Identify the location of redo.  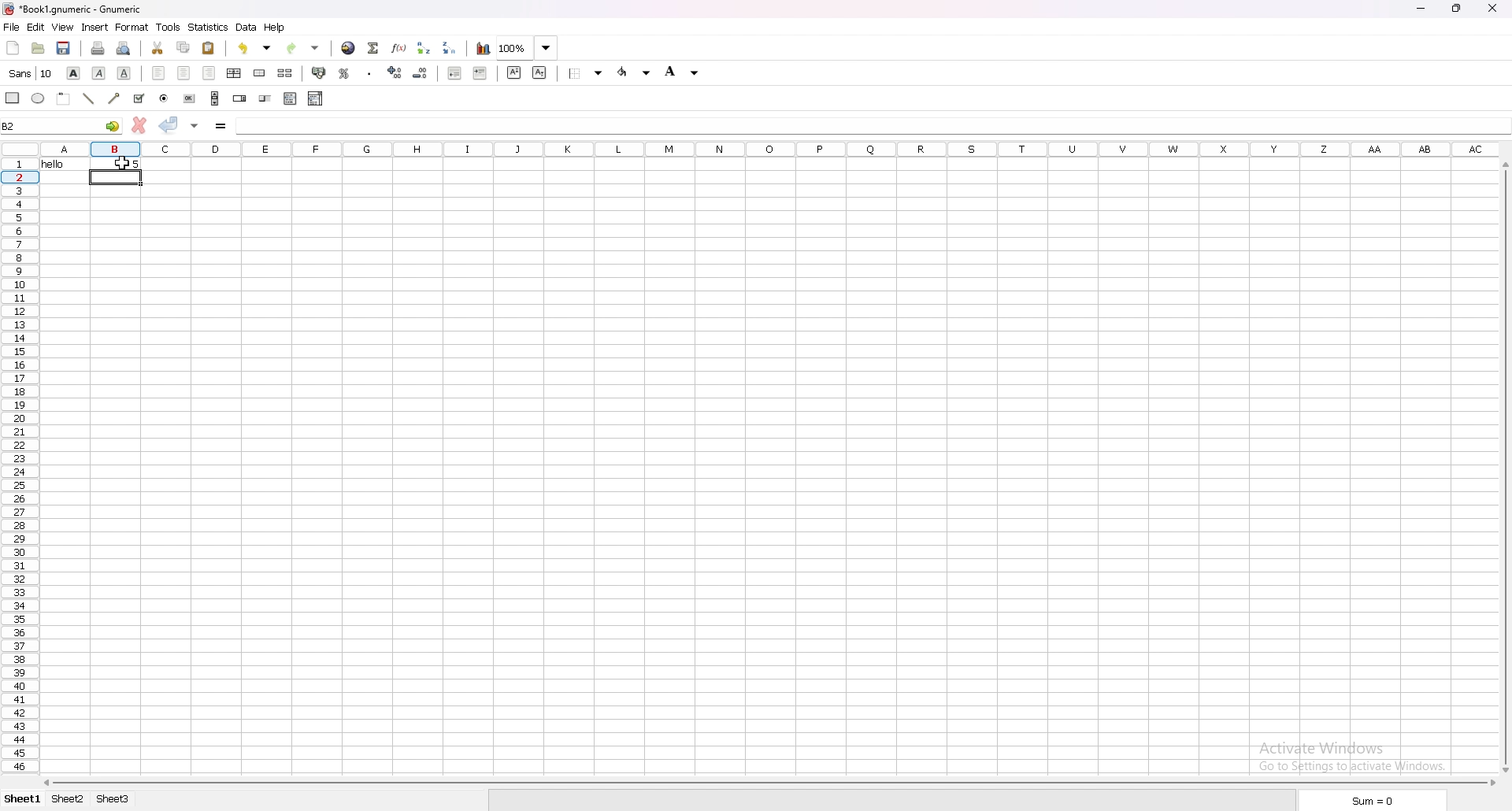
(306, 46).